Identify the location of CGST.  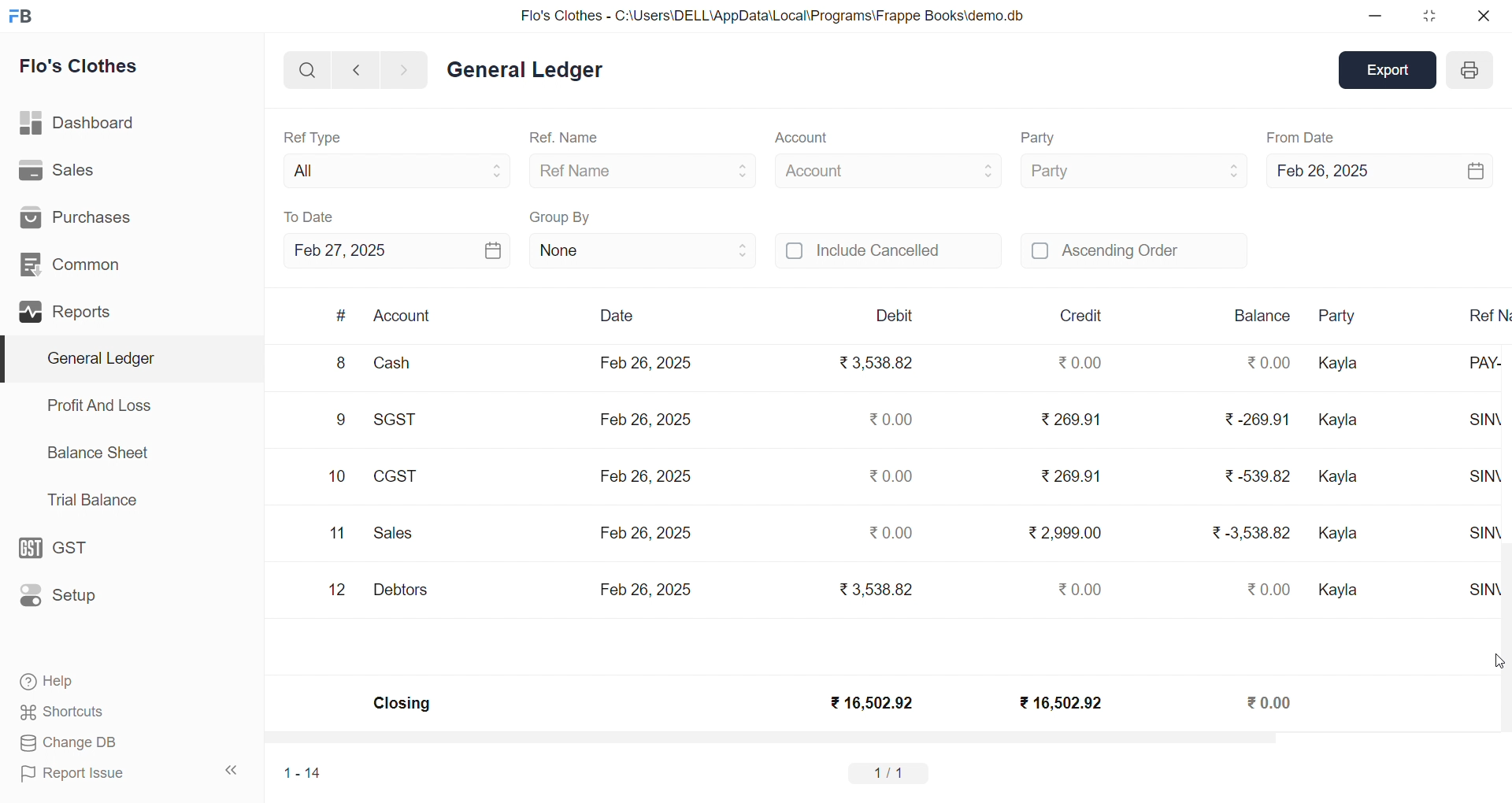
(398, 479).